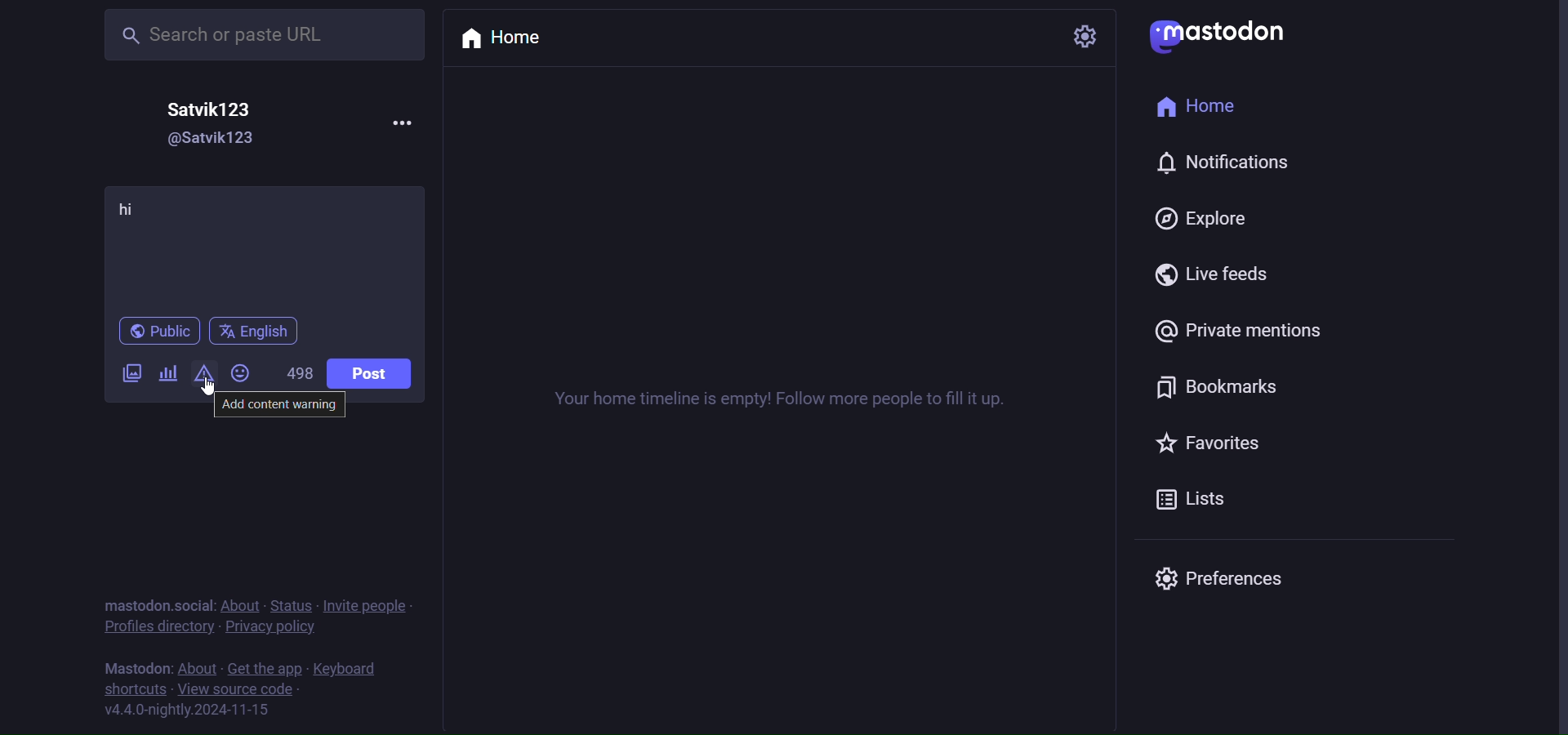  What do you see at coordinates (1247, 332) in the screenshot?
I see `private` at bounding box center [1247, 332].